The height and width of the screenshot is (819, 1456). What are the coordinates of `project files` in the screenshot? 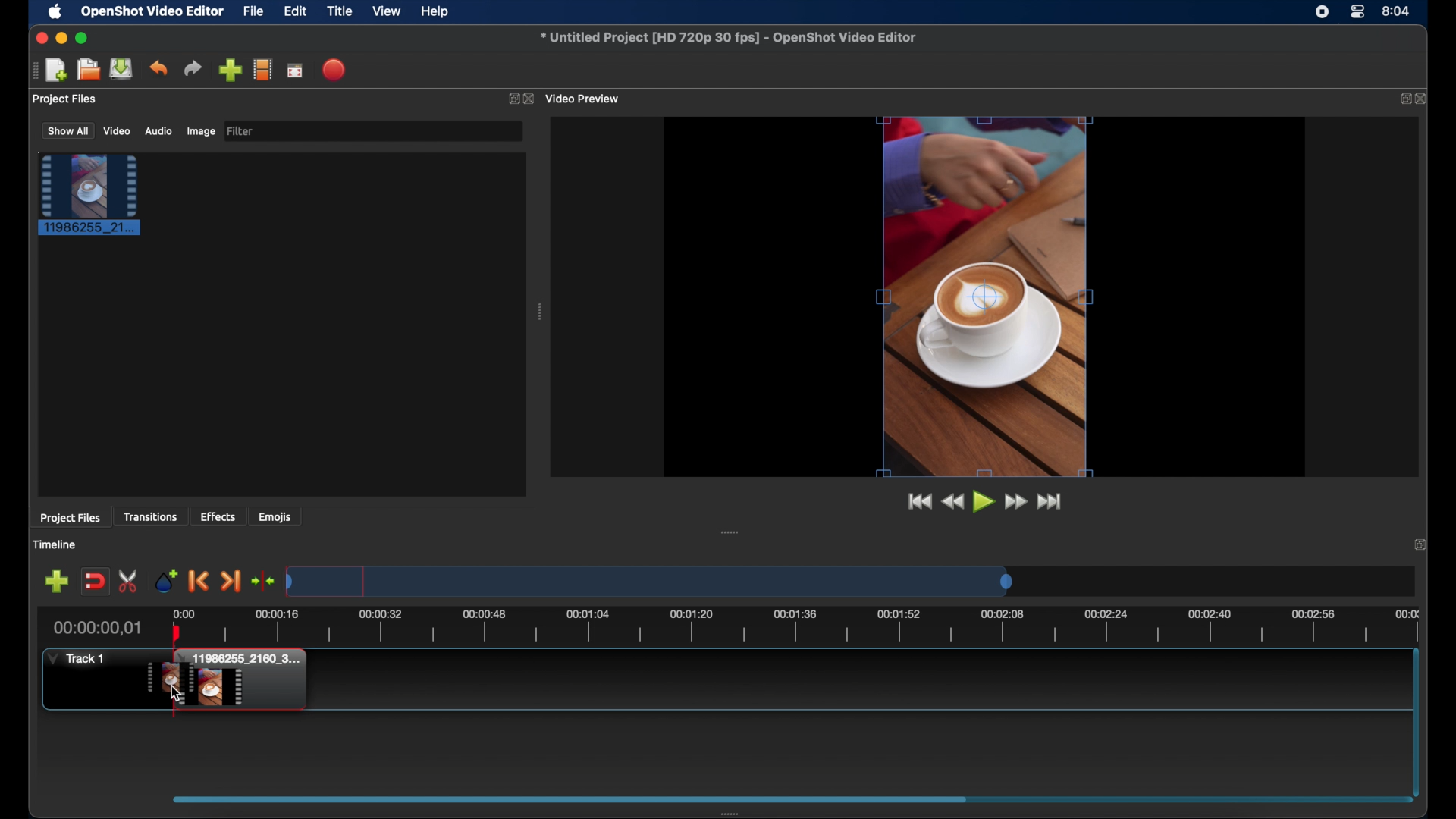 It's located at (71, 519).